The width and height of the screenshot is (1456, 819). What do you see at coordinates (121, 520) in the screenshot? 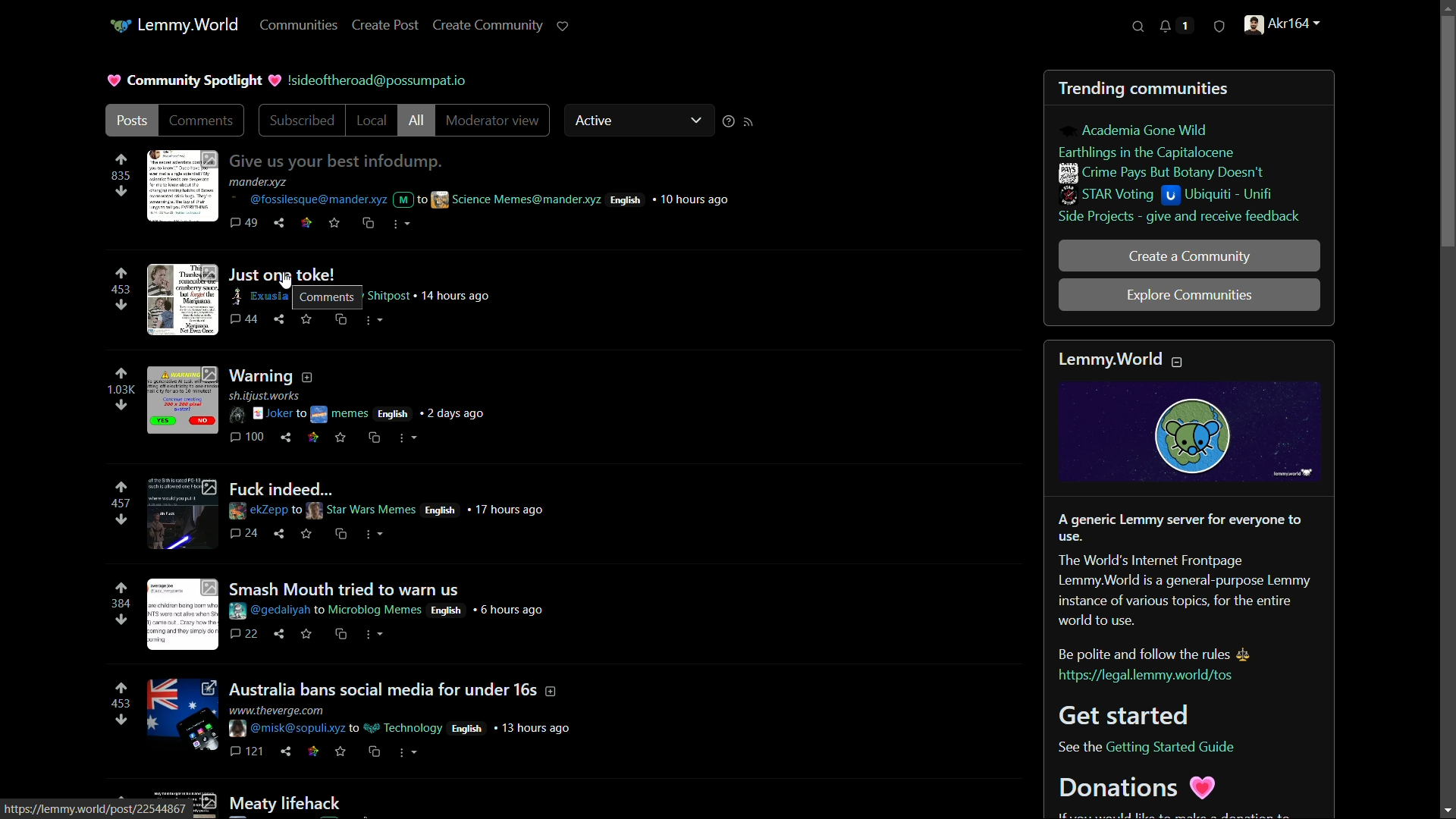
I see `downvote` at bounding box center [121, 520].